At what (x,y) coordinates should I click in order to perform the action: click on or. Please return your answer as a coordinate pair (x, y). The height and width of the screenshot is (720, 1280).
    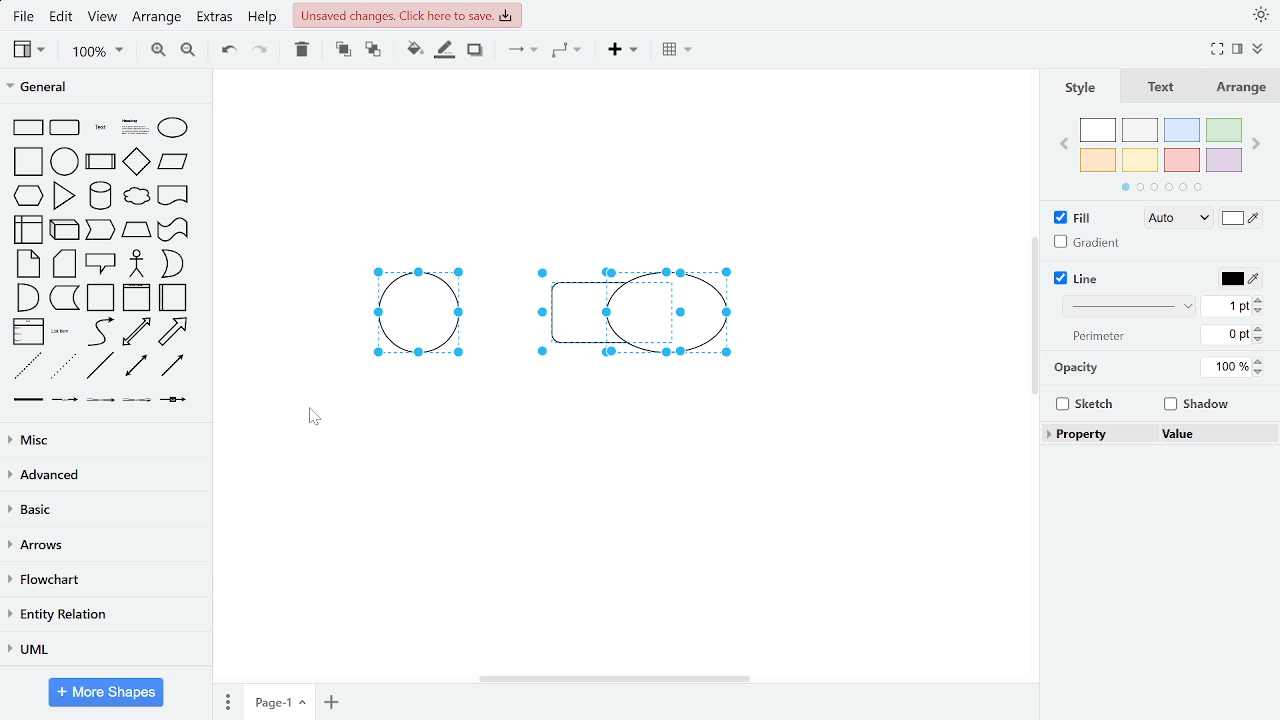
    Looking at the image, I should click on (171, 263).